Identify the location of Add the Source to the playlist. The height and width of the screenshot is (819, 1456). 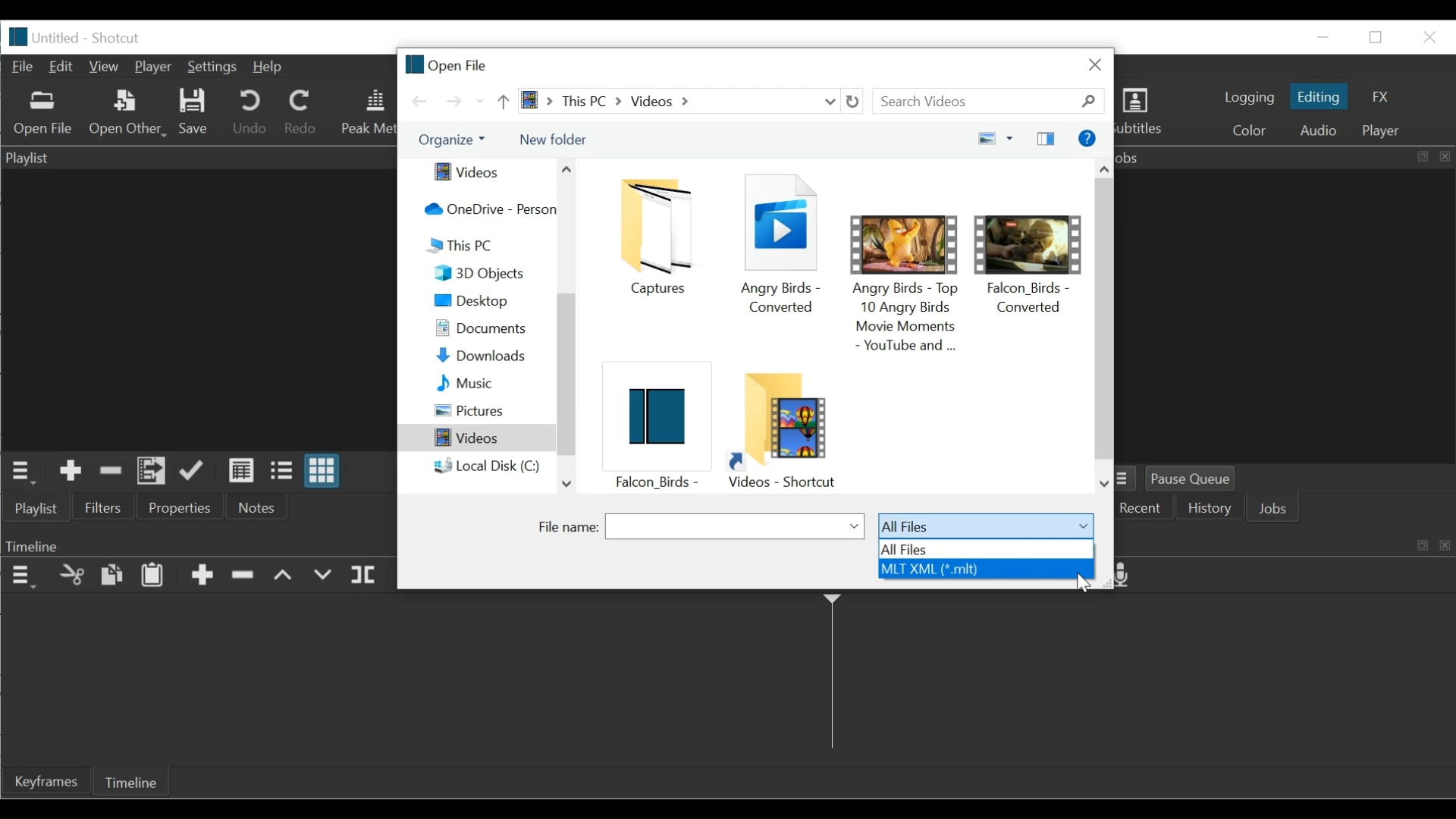
(71, 472).